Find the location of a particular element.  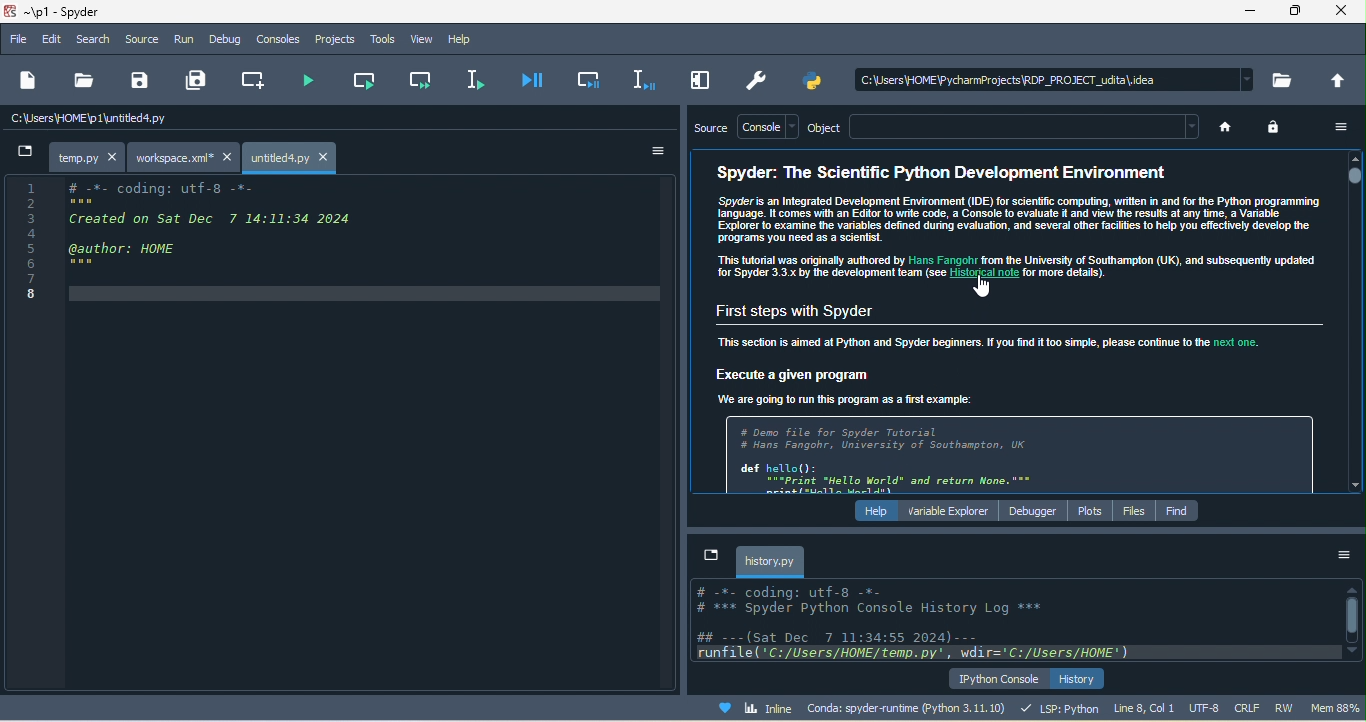

maximize is located at coordinates (1299, 11).